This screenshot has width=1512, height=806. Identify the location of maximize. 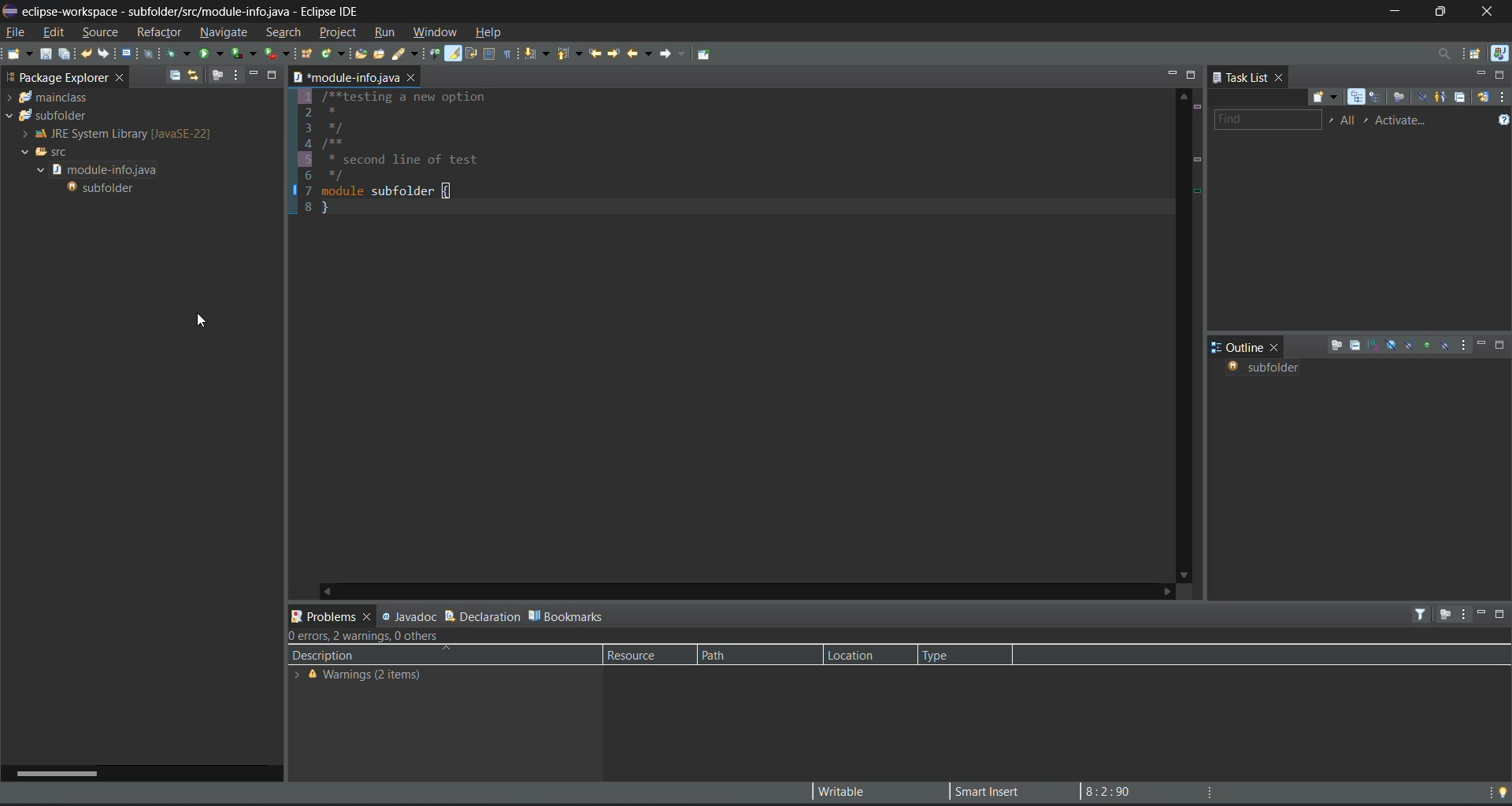
(1501, 75).